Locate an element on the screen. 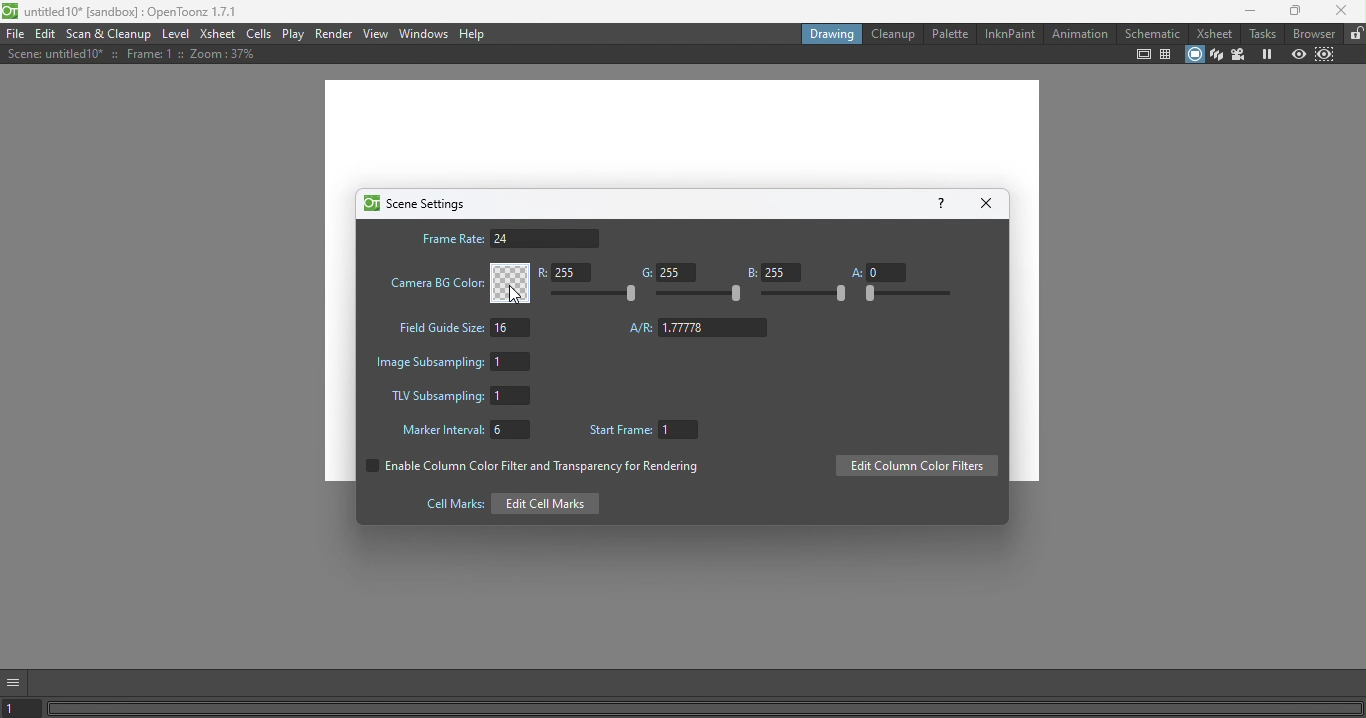 This screenshot has width=1366, height=718. Horizontal scroll bar is located at coordinates (705, 708).